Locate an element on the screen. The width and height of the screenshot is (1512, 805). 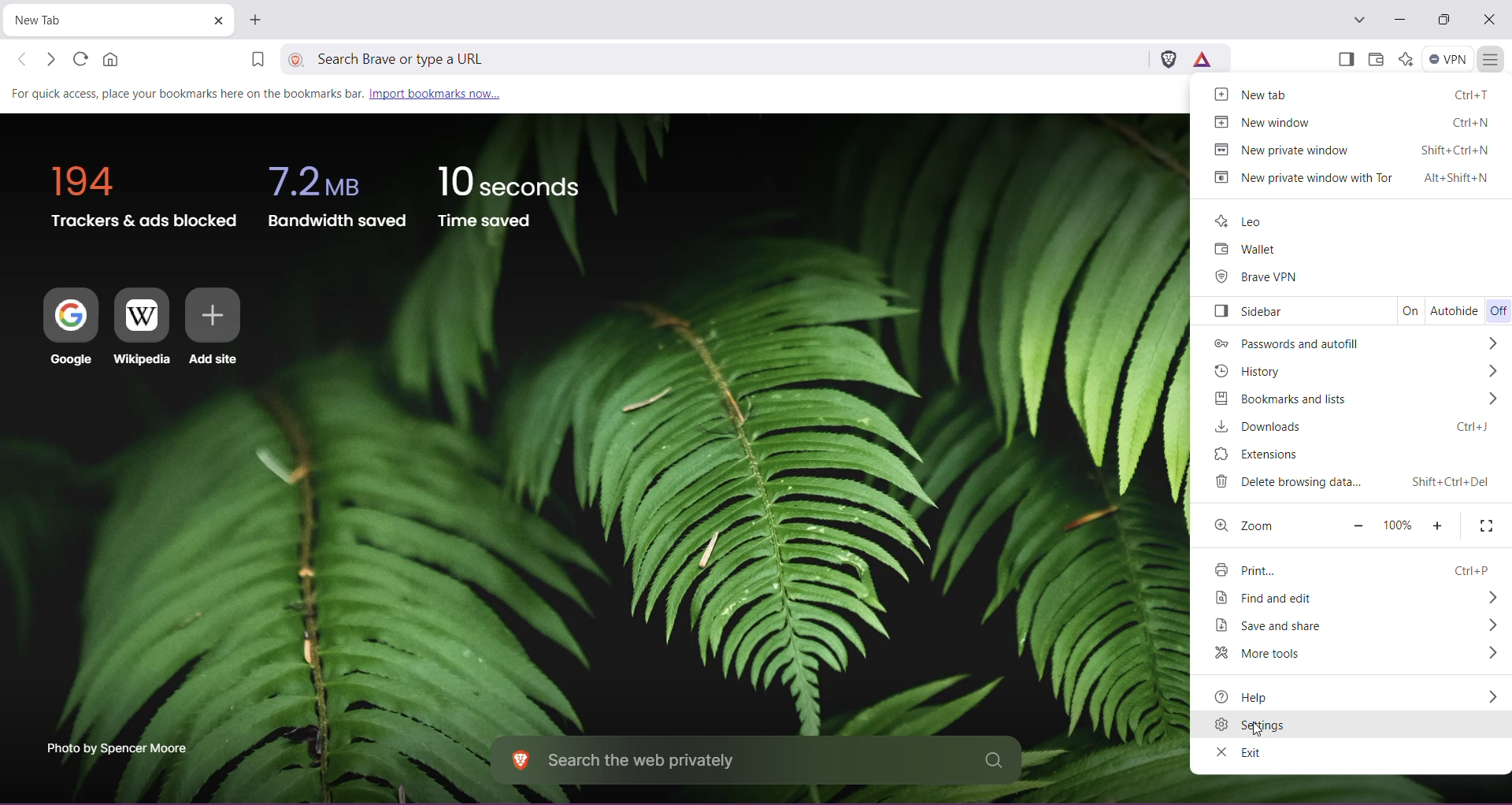
Add site is located at coordinates (213, 328).